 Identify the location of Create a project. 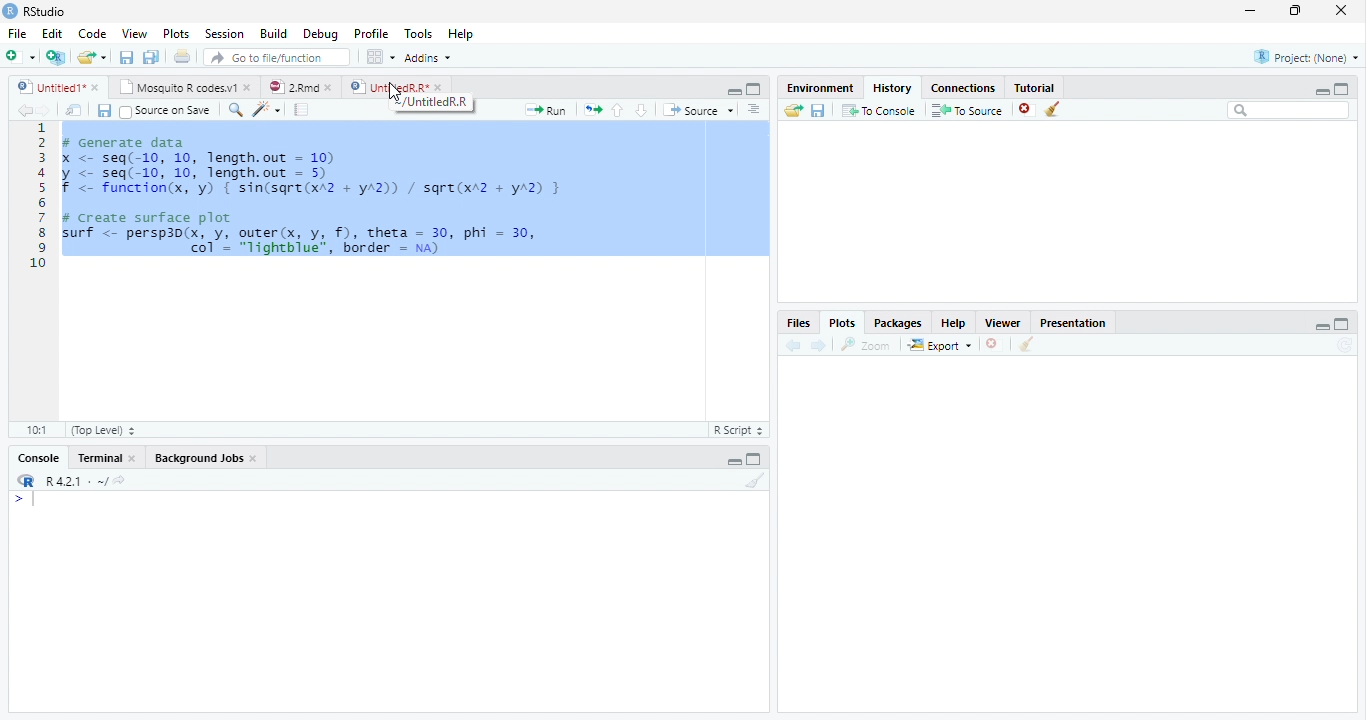
(54, 57).